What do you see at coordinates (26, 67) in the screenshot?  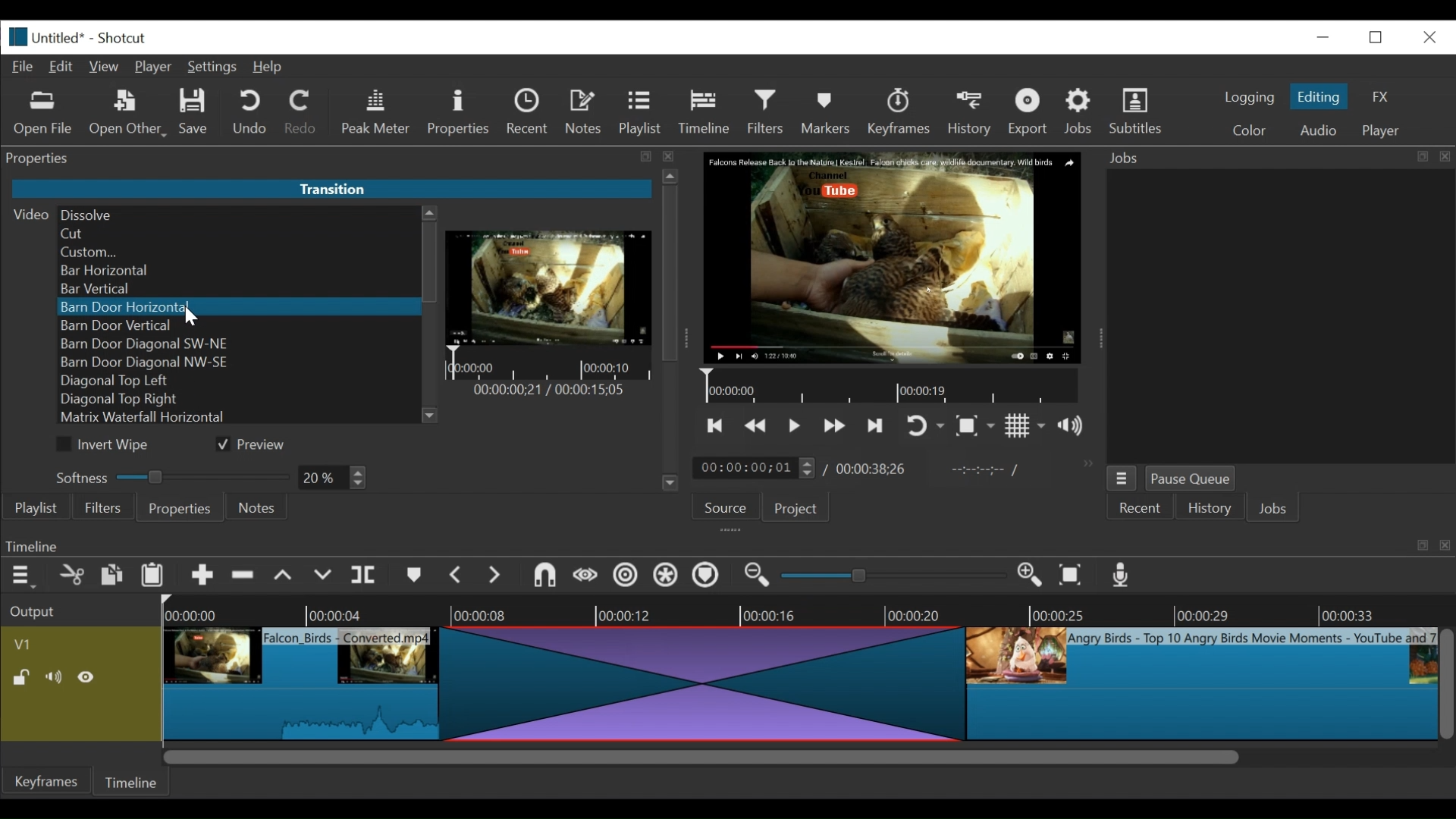 I see `File` at bounding box center [26, 67].